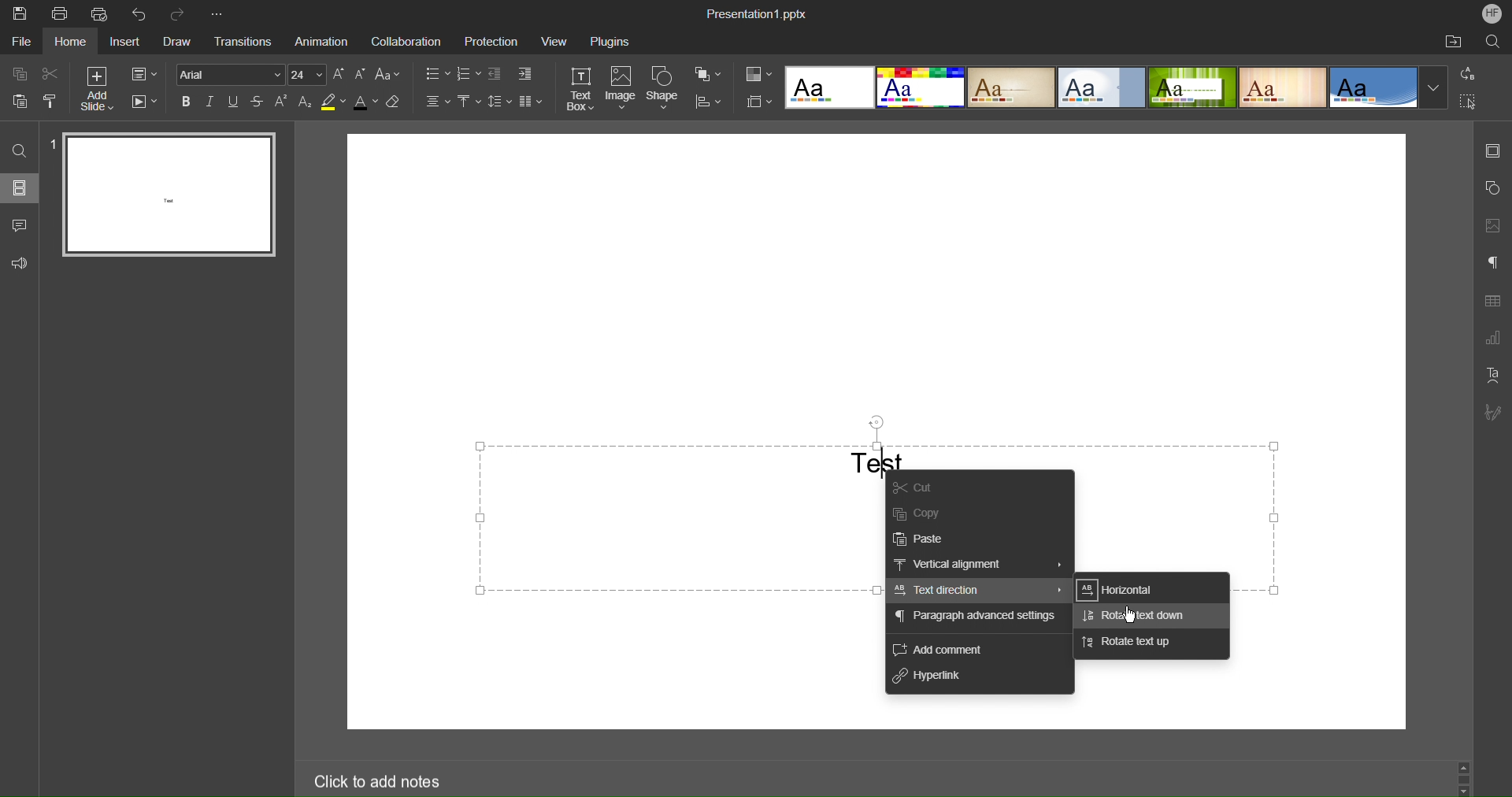 Image resolution: width=1512 pixels, height=797 pixels. What do you see at coordinates (406, 39) in the screenshot?
I see `Collaboration` at bounding box center [406, 39].